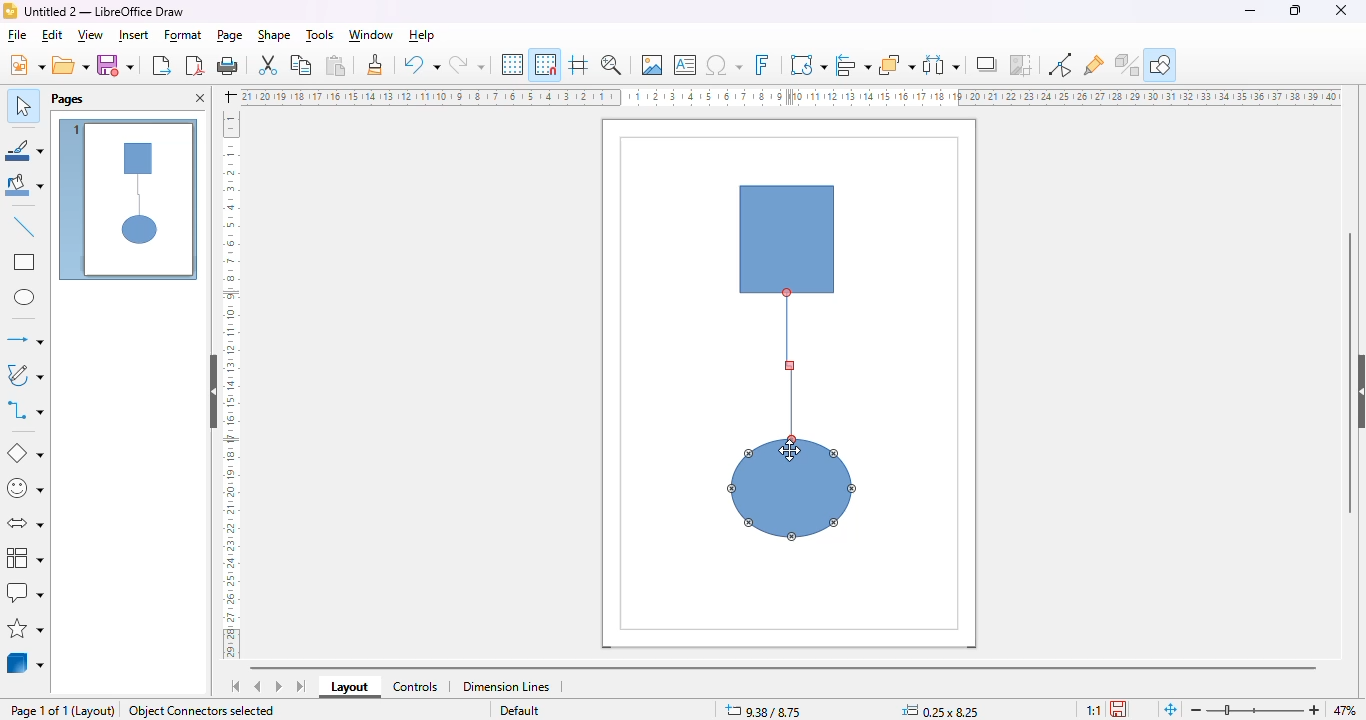 The width and height of the screenshot is (1366, 720). What do you see at coordinates (350, 687) in the screenshot?
I see `layout` at bounding box center [350, 687].